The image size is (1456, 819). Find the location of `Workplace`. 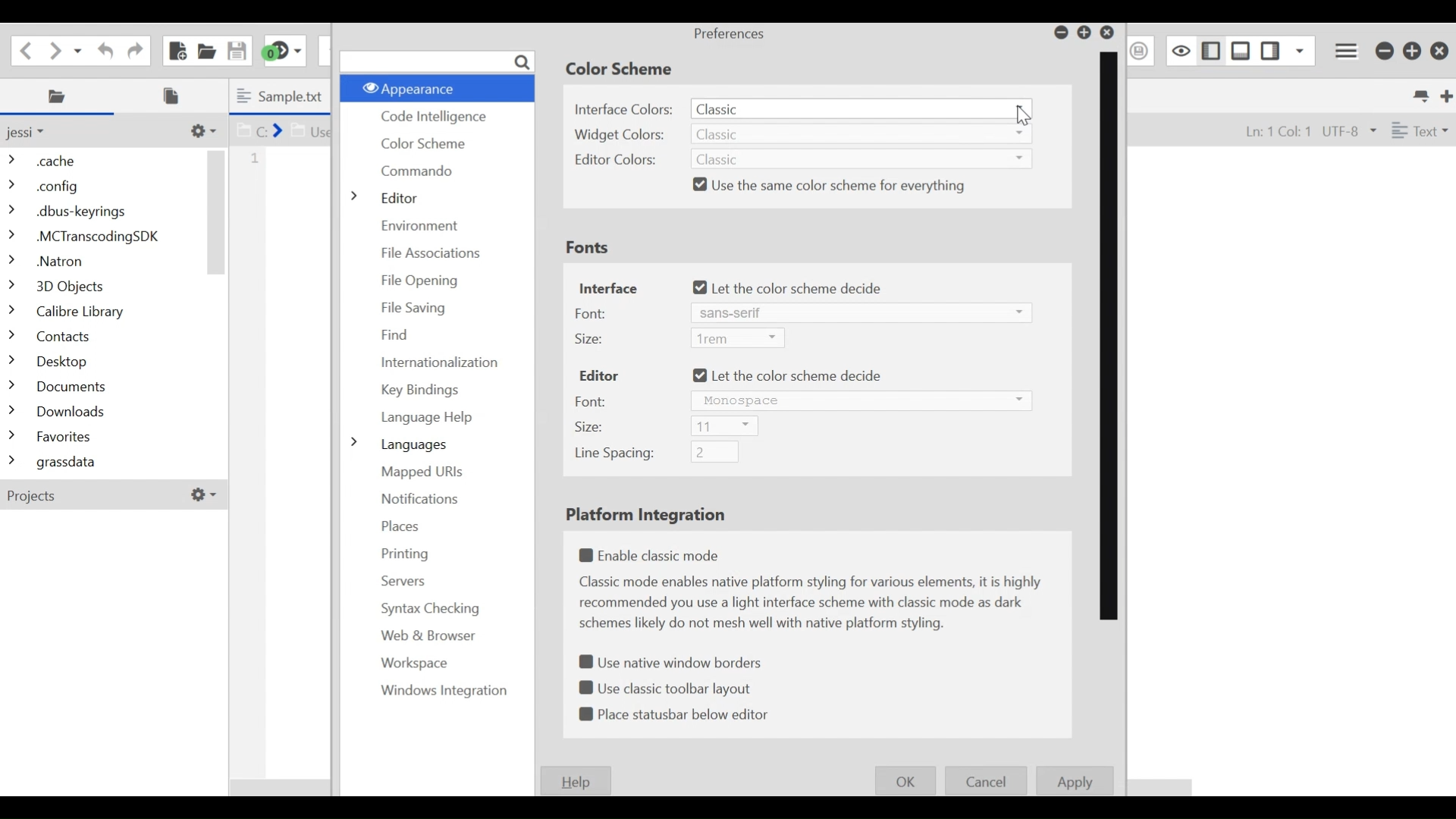

Workplace is located at coordinates (411, 664).